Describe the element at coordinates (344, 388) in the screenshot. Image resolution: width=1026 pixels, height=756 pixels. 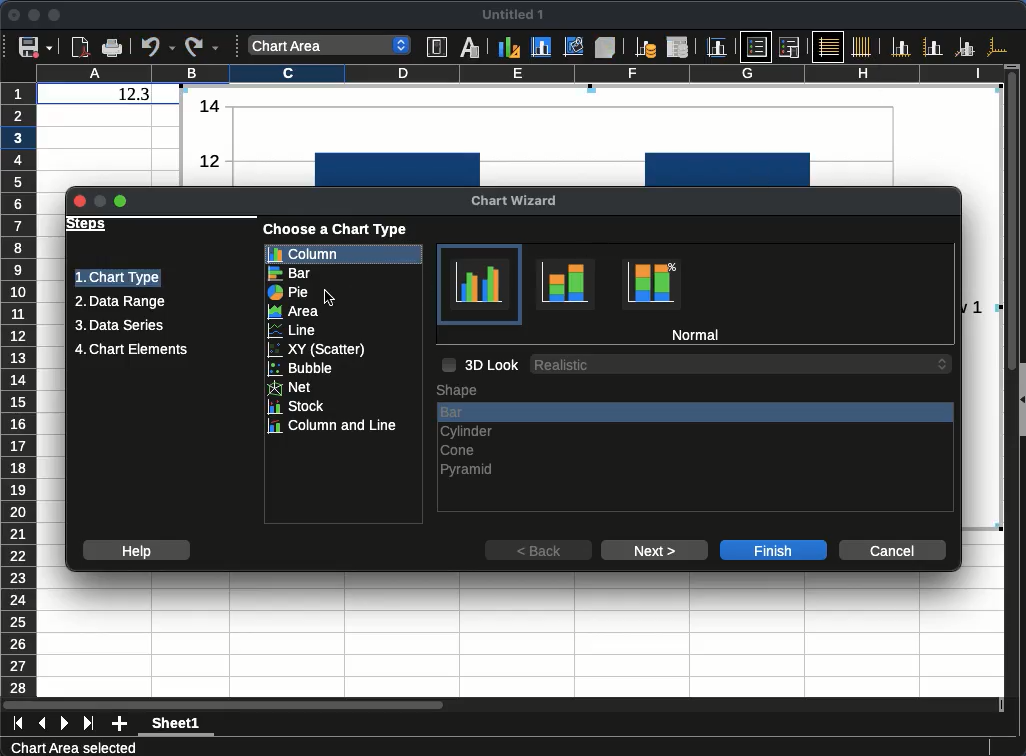
I see `net` at that location.